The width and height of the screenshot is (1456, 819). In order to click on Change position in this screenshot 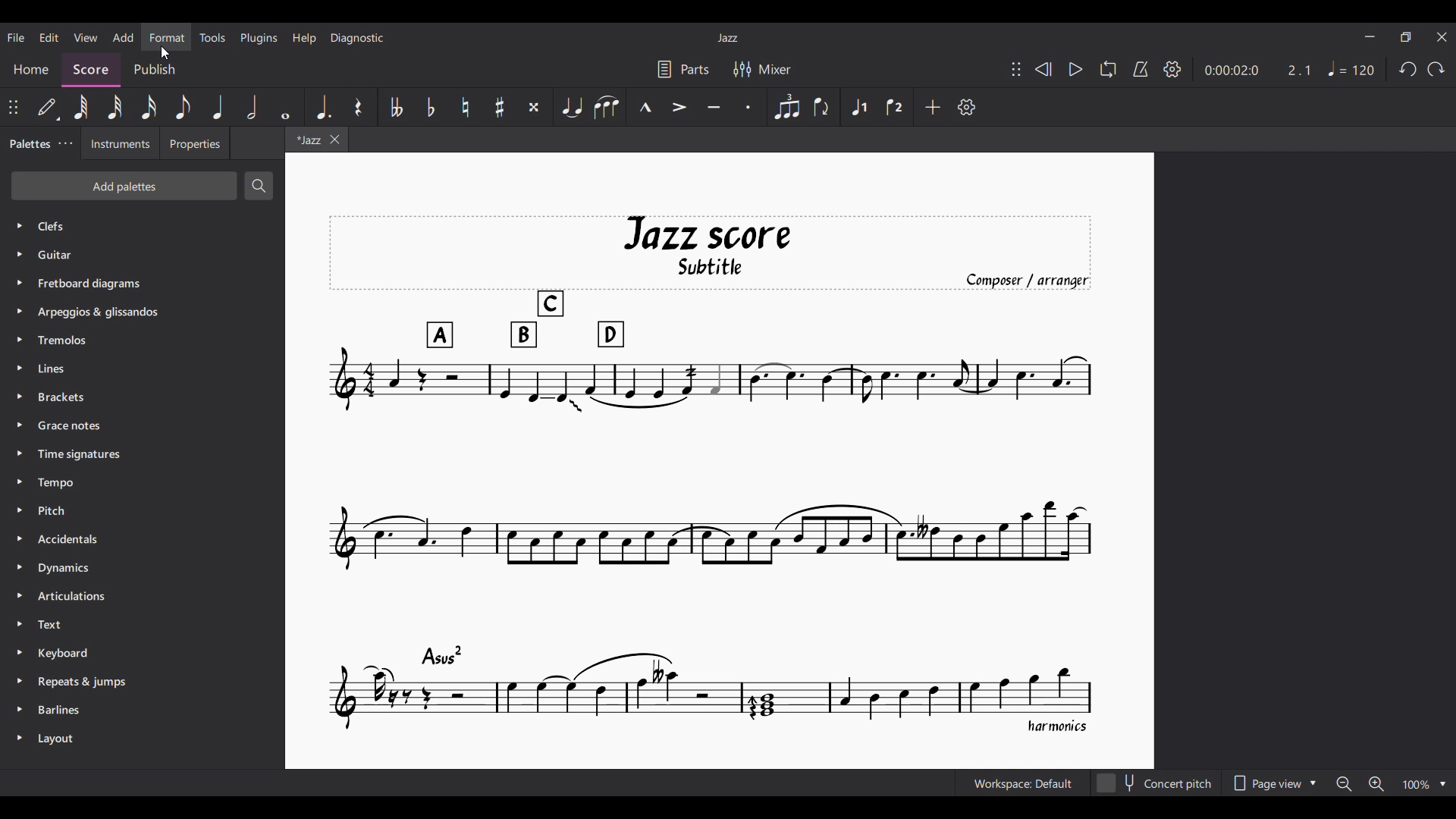, I will do `click(1016, 69)`.